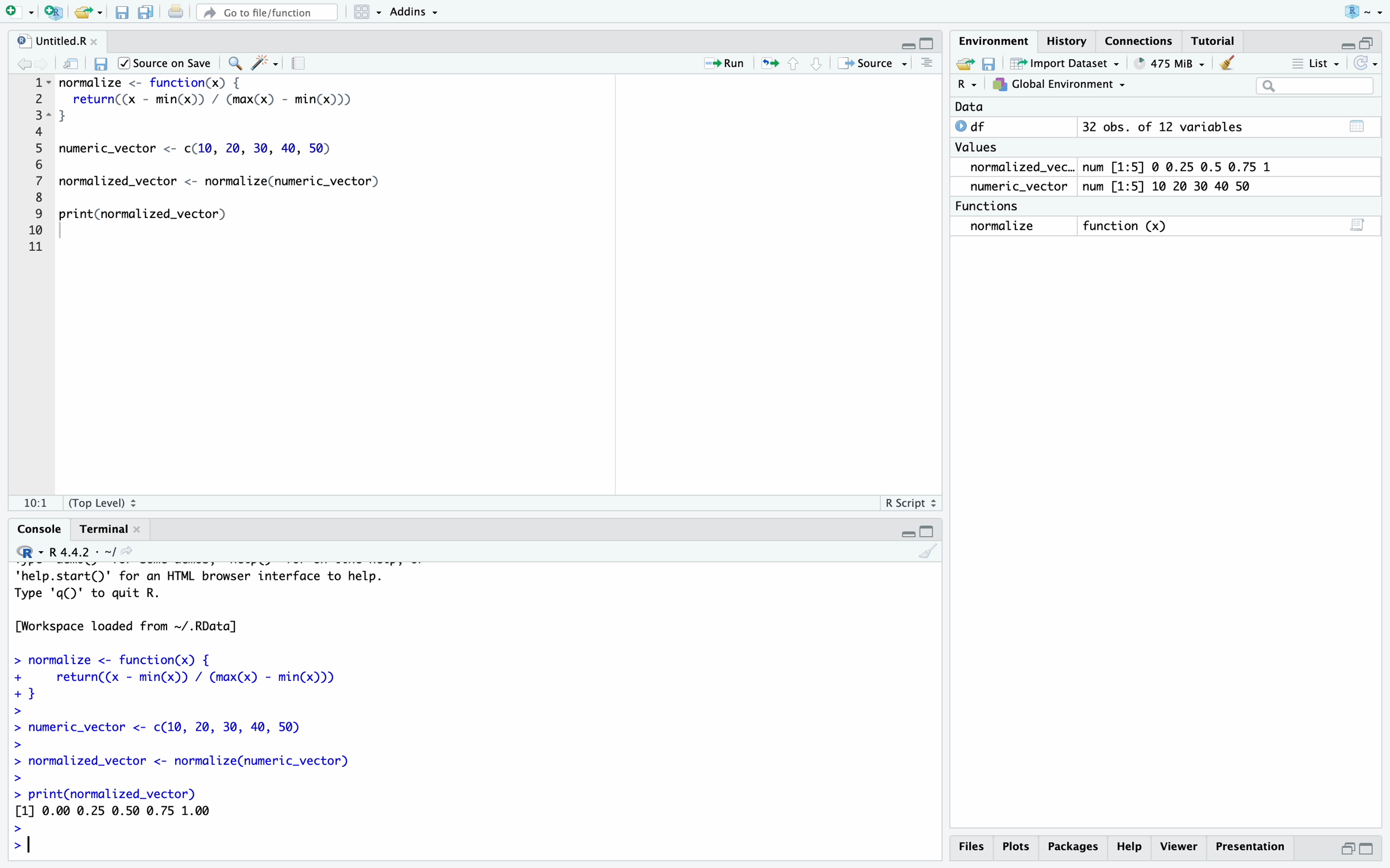 This screenshot has height=868, width=1390. Describe the element at coordinates (1346, 848) in the screenshot. I see `Minimize` at that location.